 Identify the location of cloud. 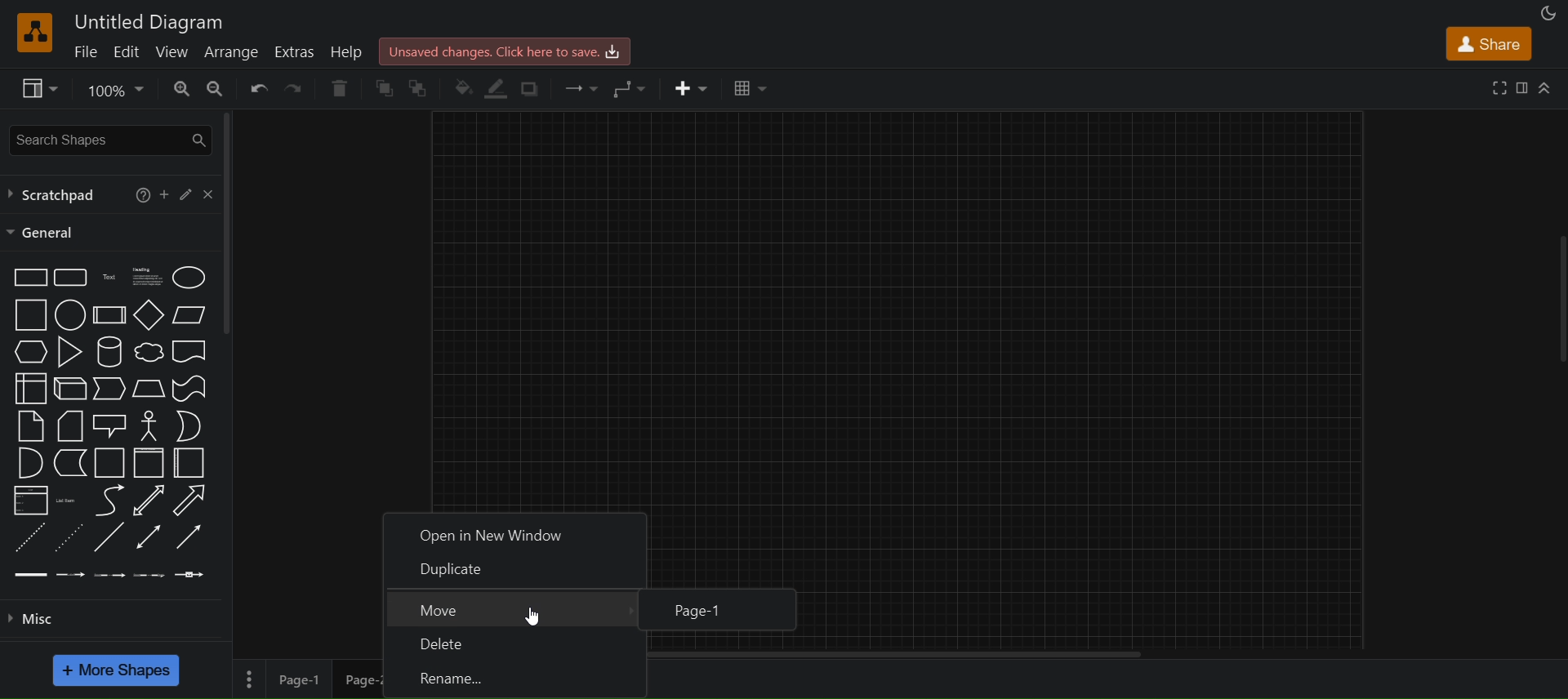
(147, 353).